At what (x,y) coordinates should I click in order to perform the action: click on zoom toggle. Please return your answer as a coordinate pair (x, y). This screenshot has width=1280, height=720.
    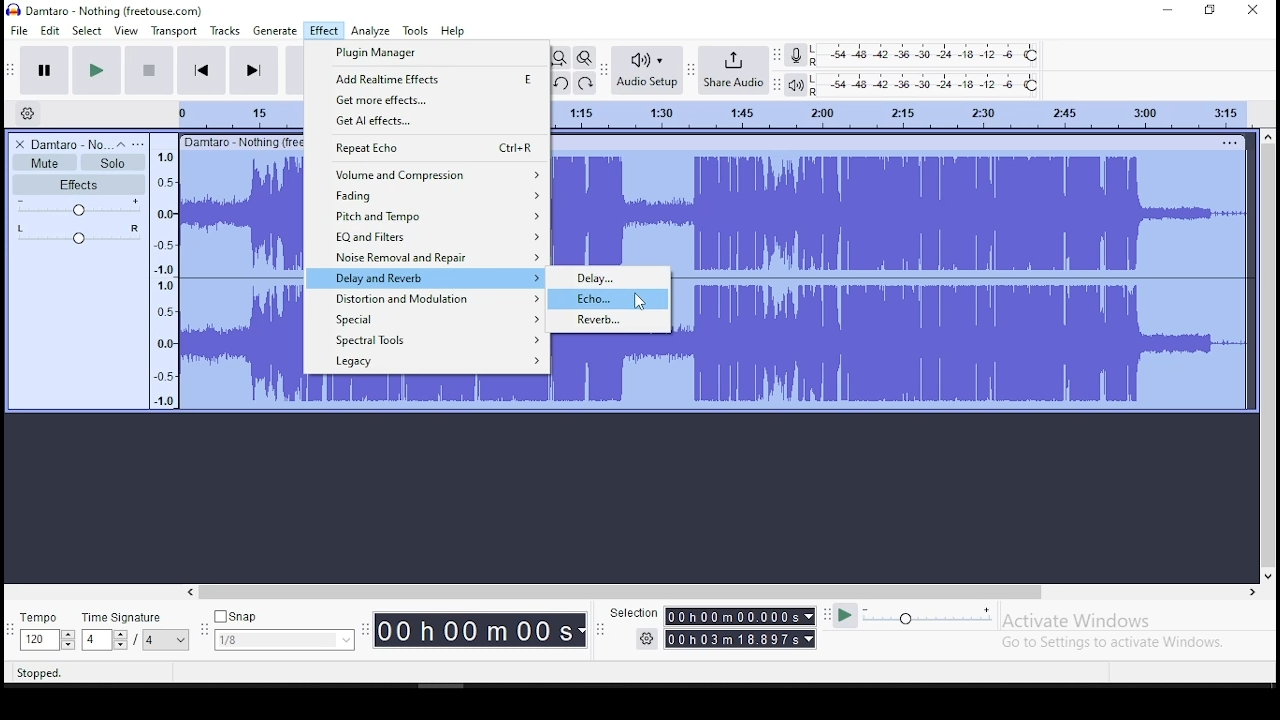
    Looking at the image, I should click on (584, 58).